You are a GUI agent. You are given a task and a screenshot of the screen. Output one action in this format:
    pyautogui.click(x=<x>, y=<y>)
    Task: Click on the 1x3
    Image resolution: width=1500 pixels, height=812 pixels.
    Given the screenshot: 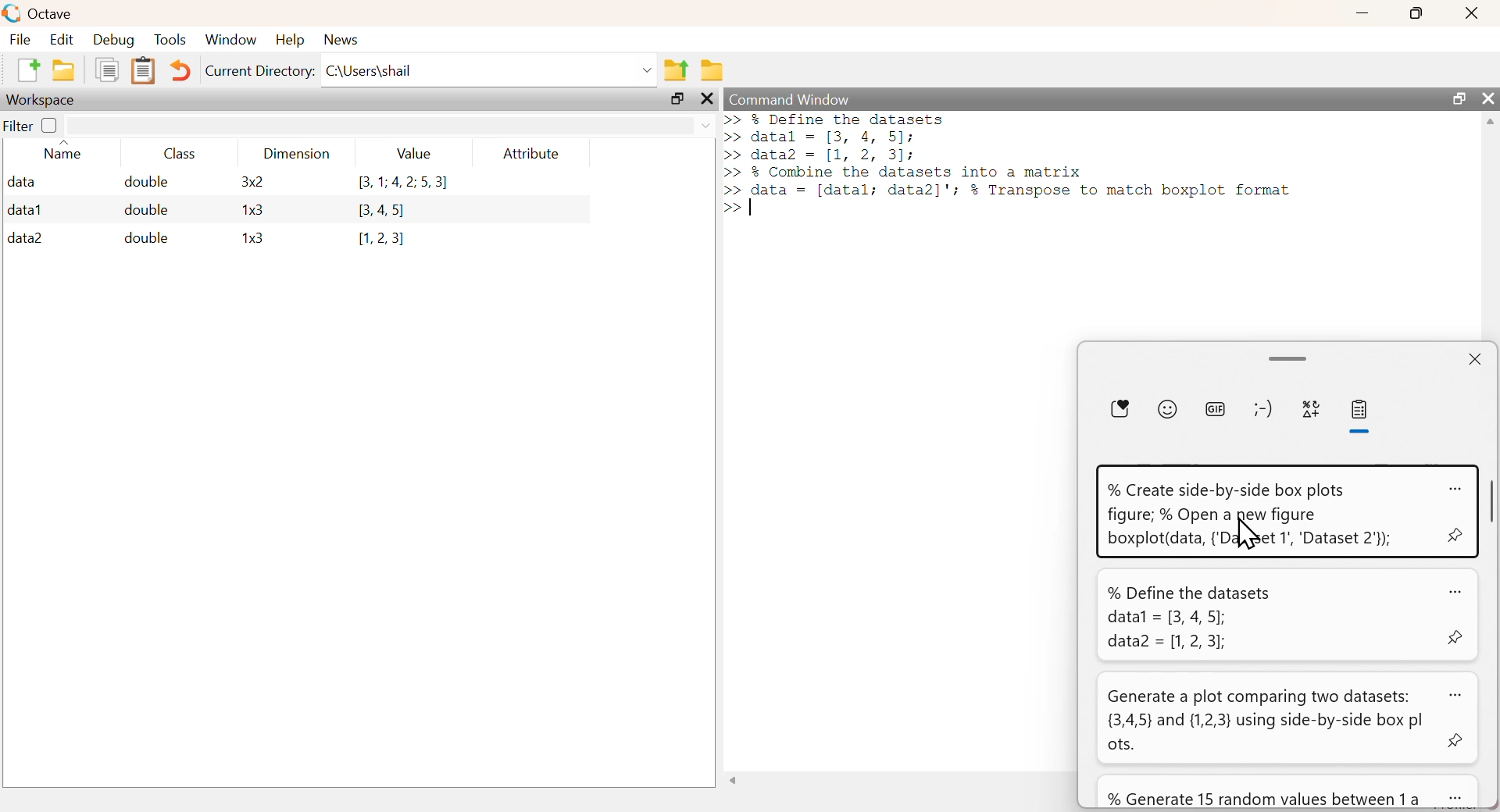 What is the action you would take?
    pyautogui.click(x=253, y=239)
    